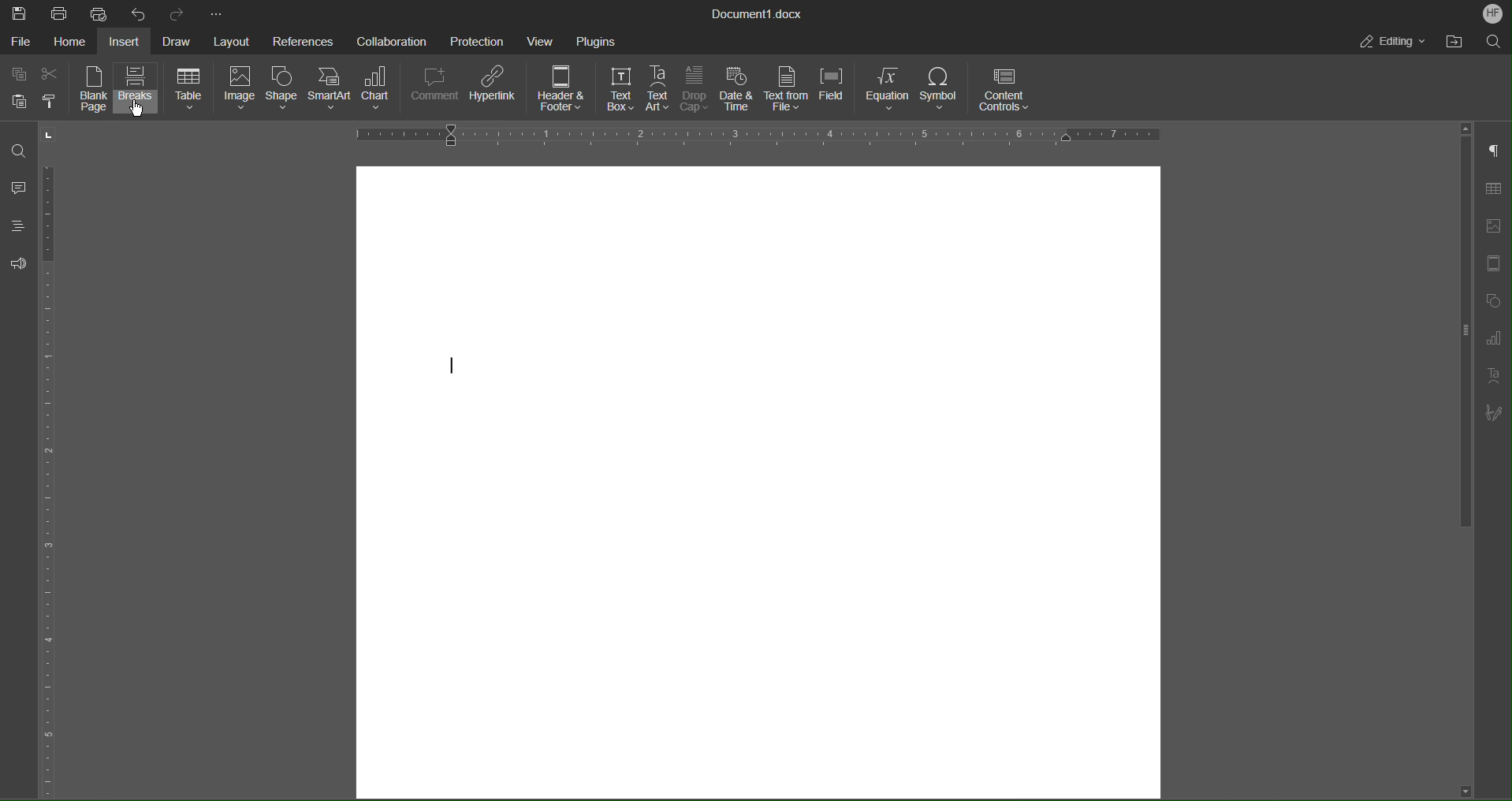 This screenshot has width=1512, height=801. I want to click on Vertical Color, so click(47, 483).